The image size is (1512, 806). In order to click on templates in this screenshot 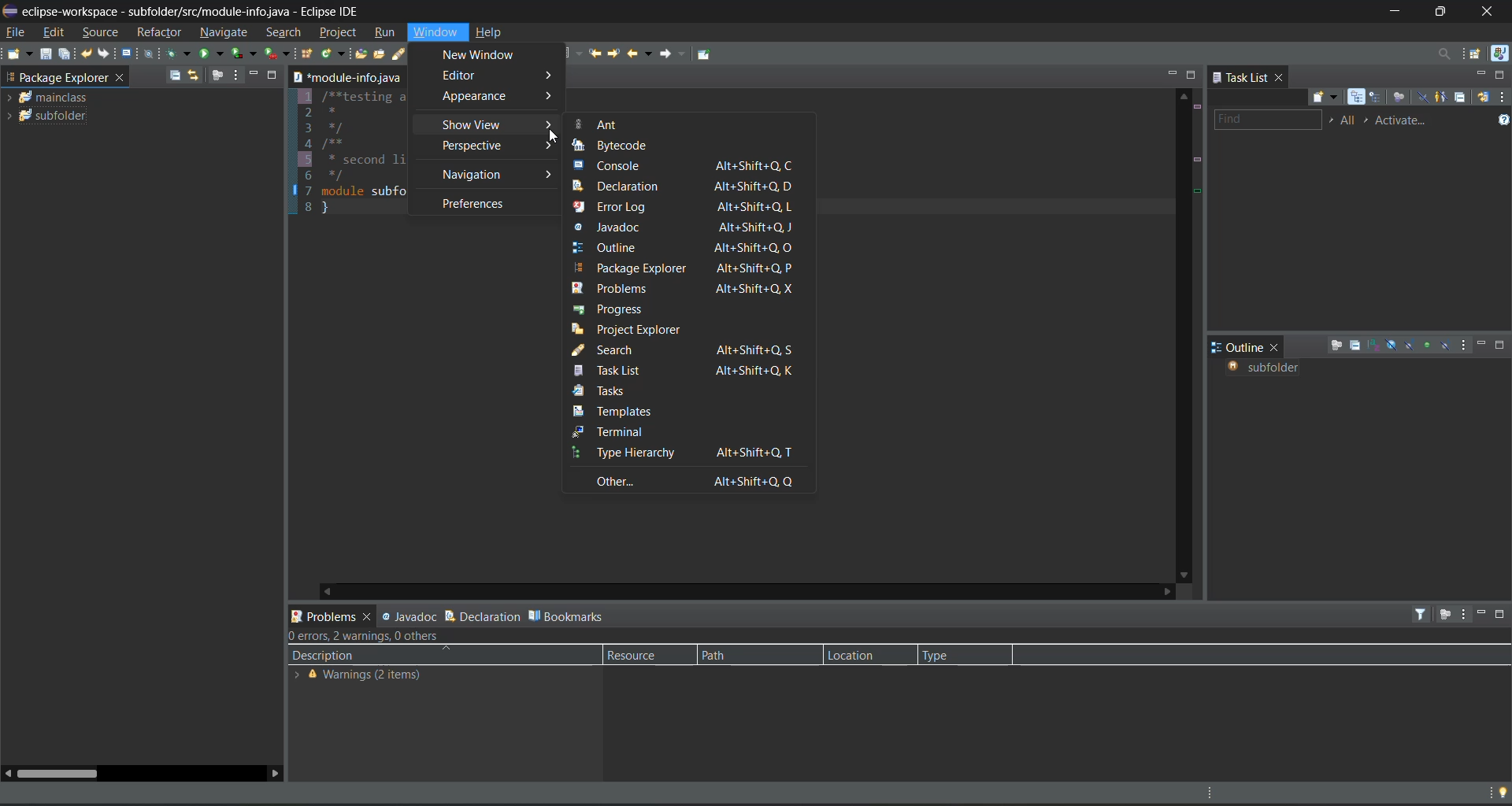, I will do `click(630, 411)`.